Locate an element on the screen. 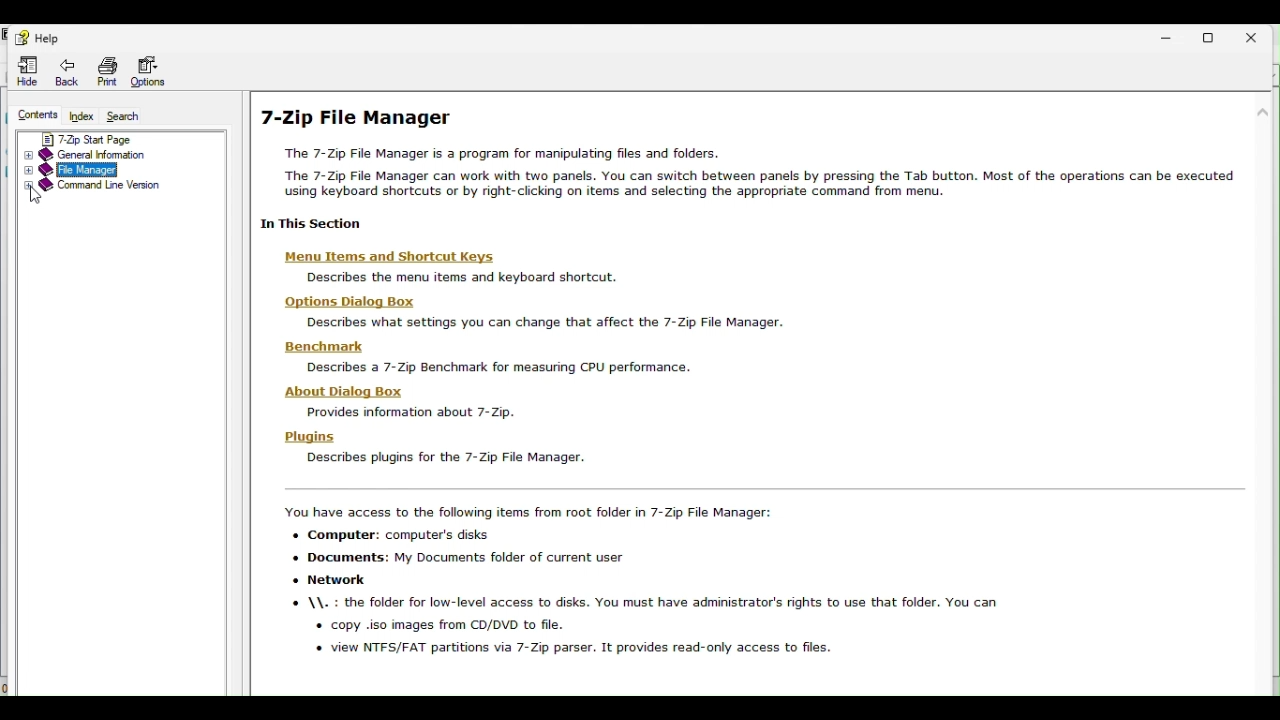  About Dialog Box is located at coordinates (346, 391).